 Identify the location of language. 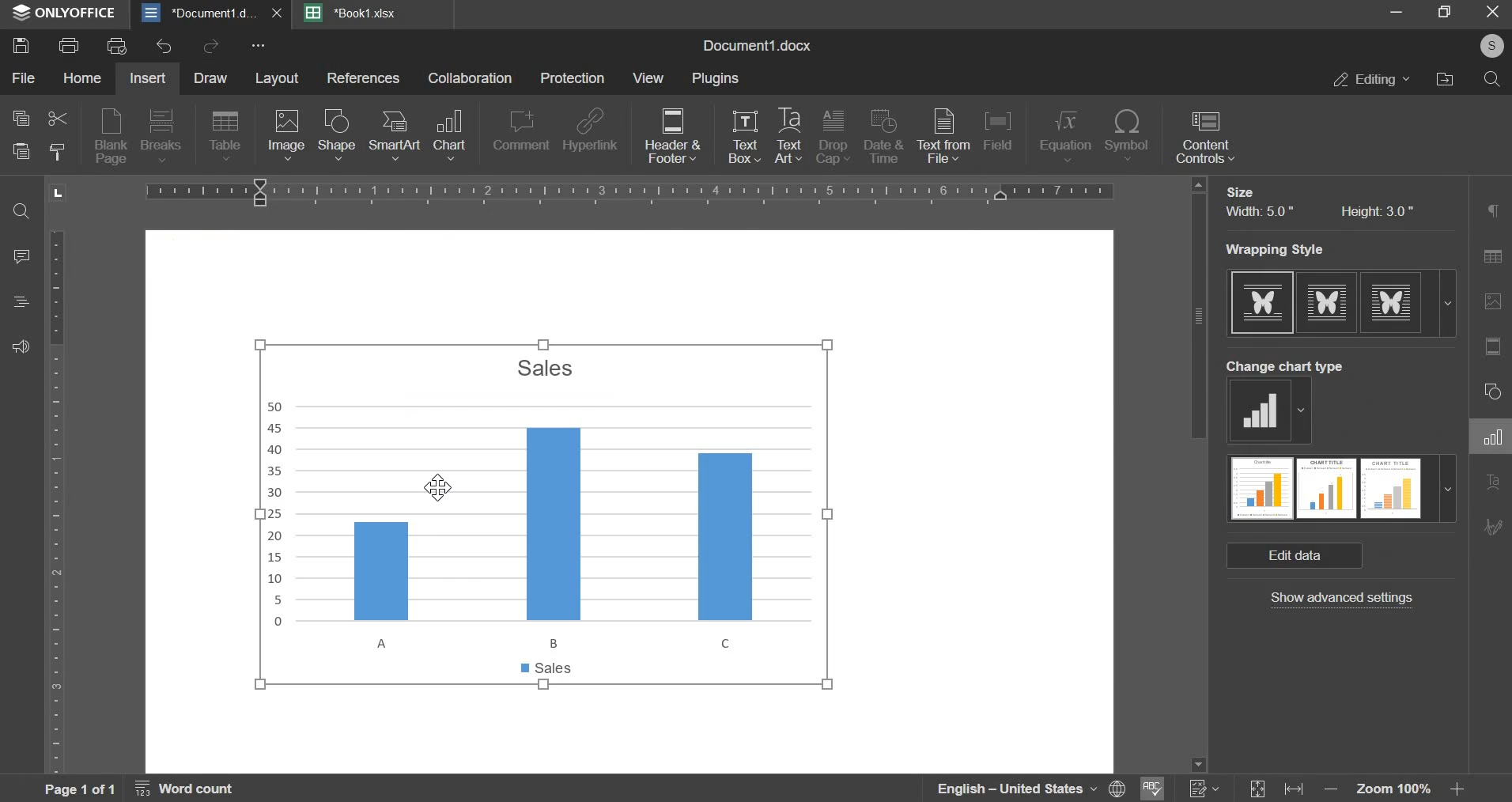
(1032, 789).